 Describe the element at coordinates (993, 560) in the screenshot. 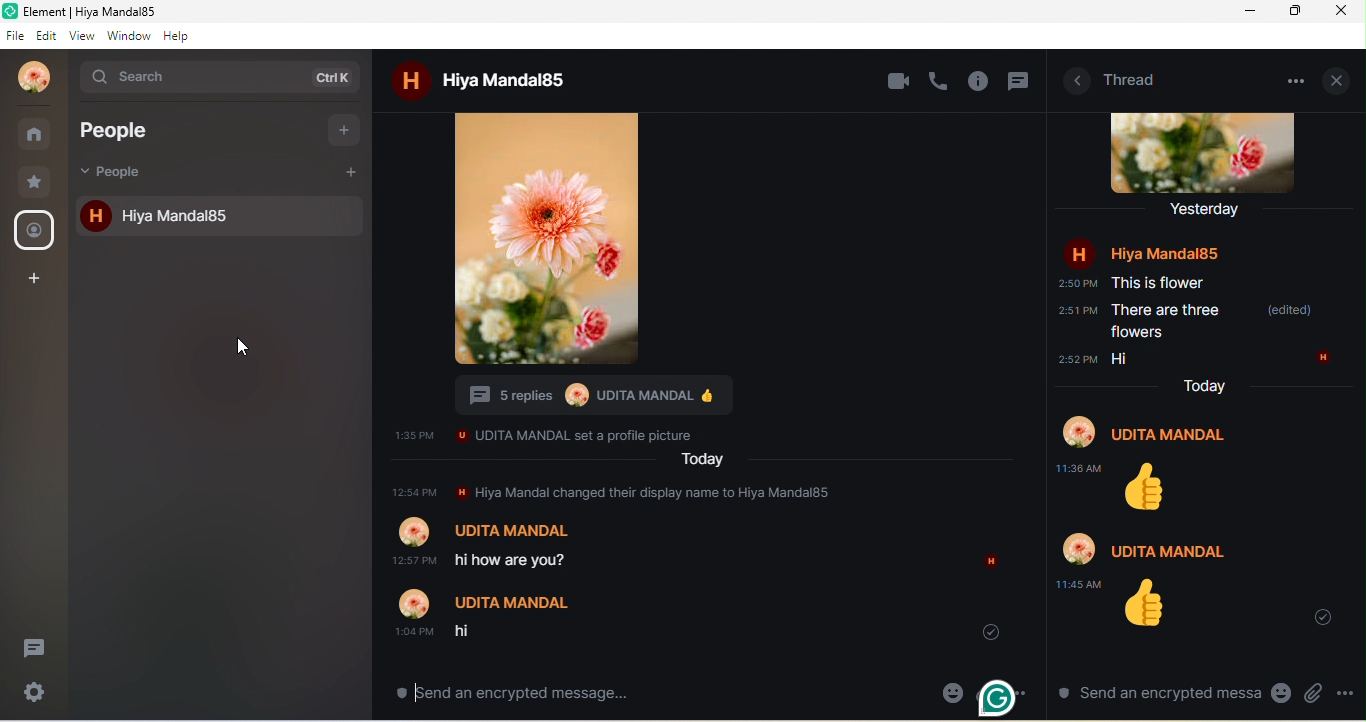

I see `H` at that location.